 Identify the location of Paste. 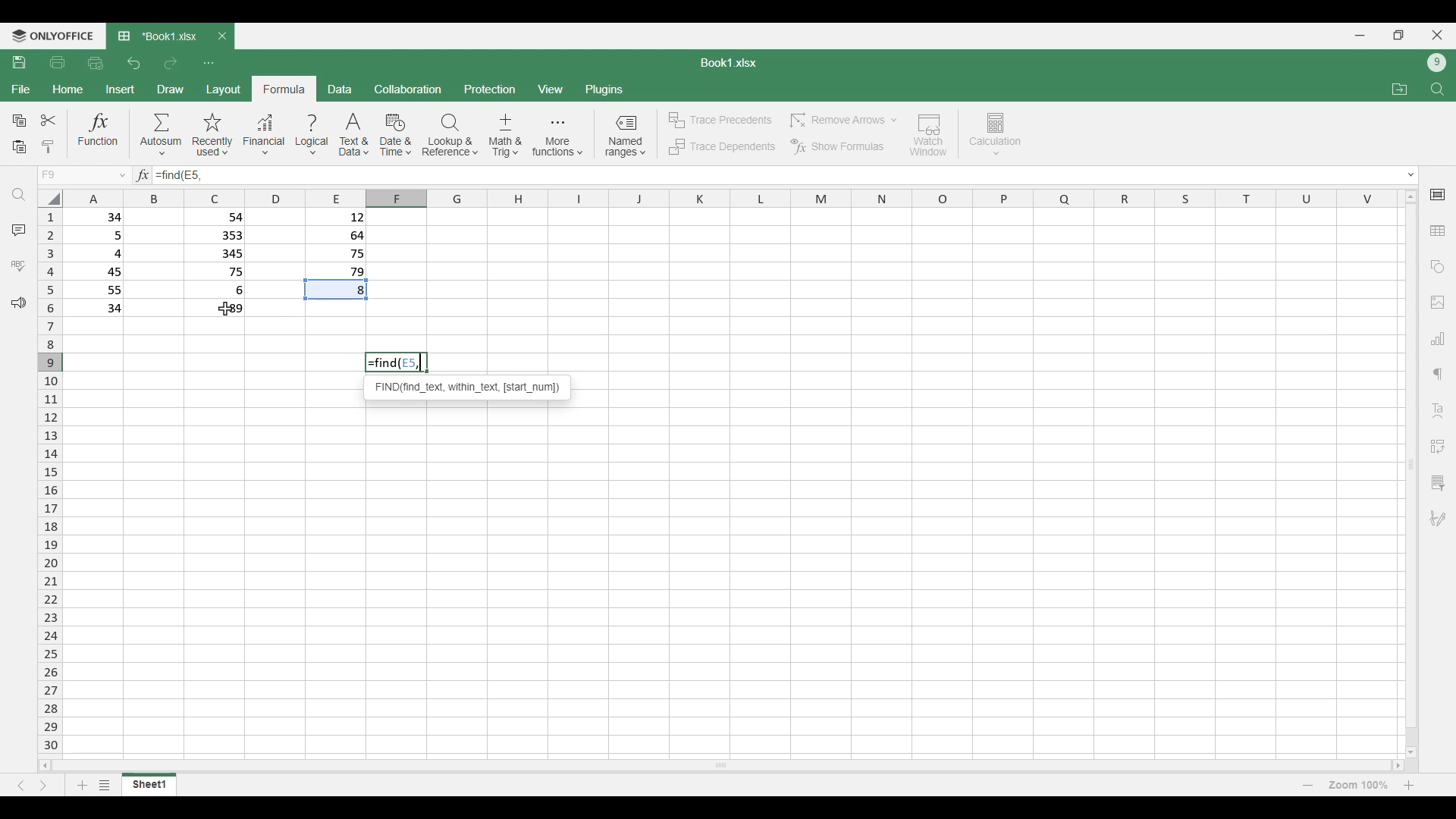
(19, 148).